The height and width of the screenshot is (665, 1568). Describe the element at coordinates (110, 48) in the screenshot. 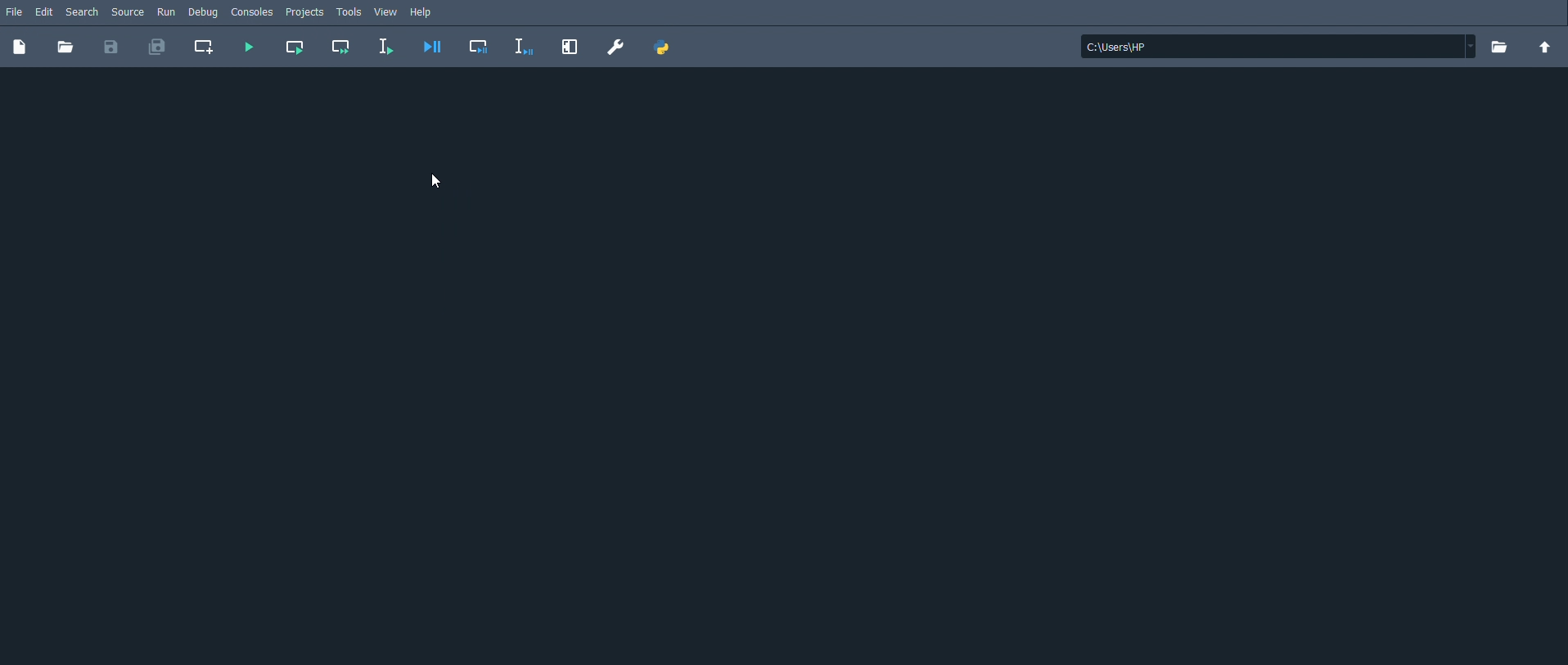

I see `Save file` at that location.